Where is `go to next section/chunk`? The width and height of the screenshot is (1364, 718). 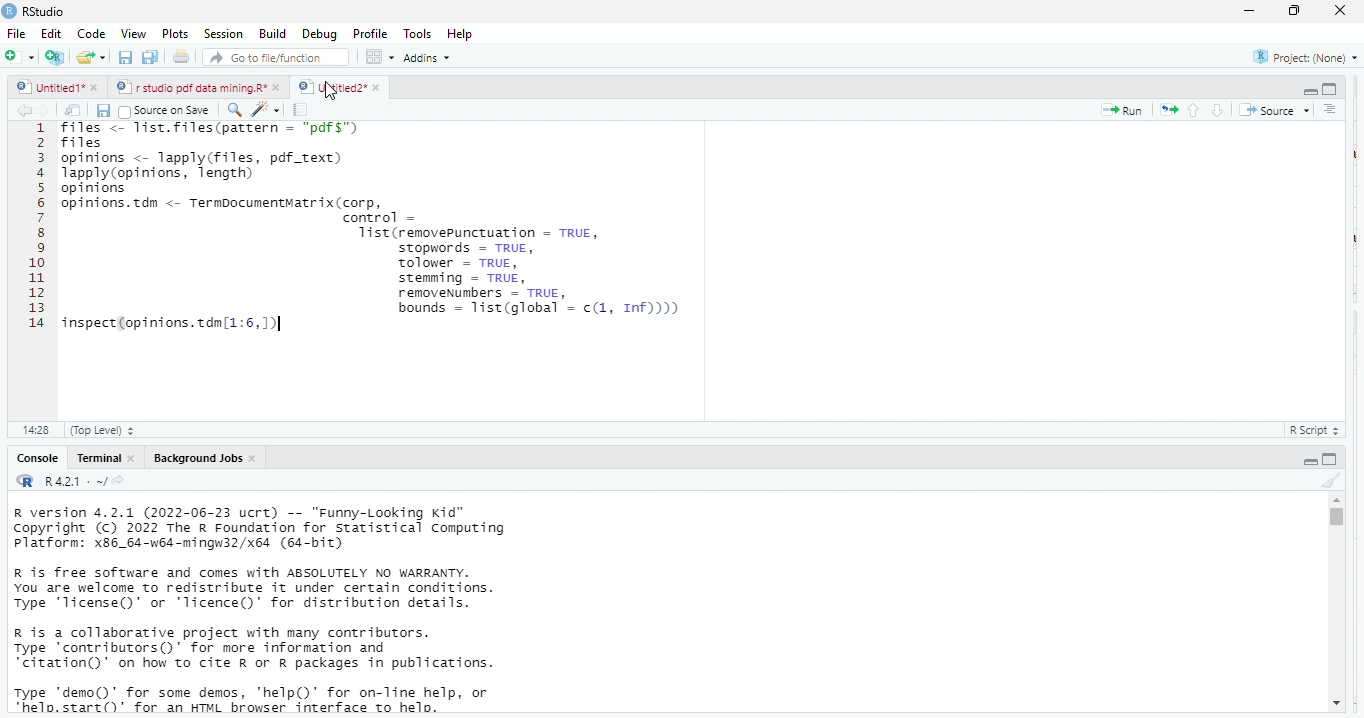
go to next section/chunk is located at coordinates (1219, 110).